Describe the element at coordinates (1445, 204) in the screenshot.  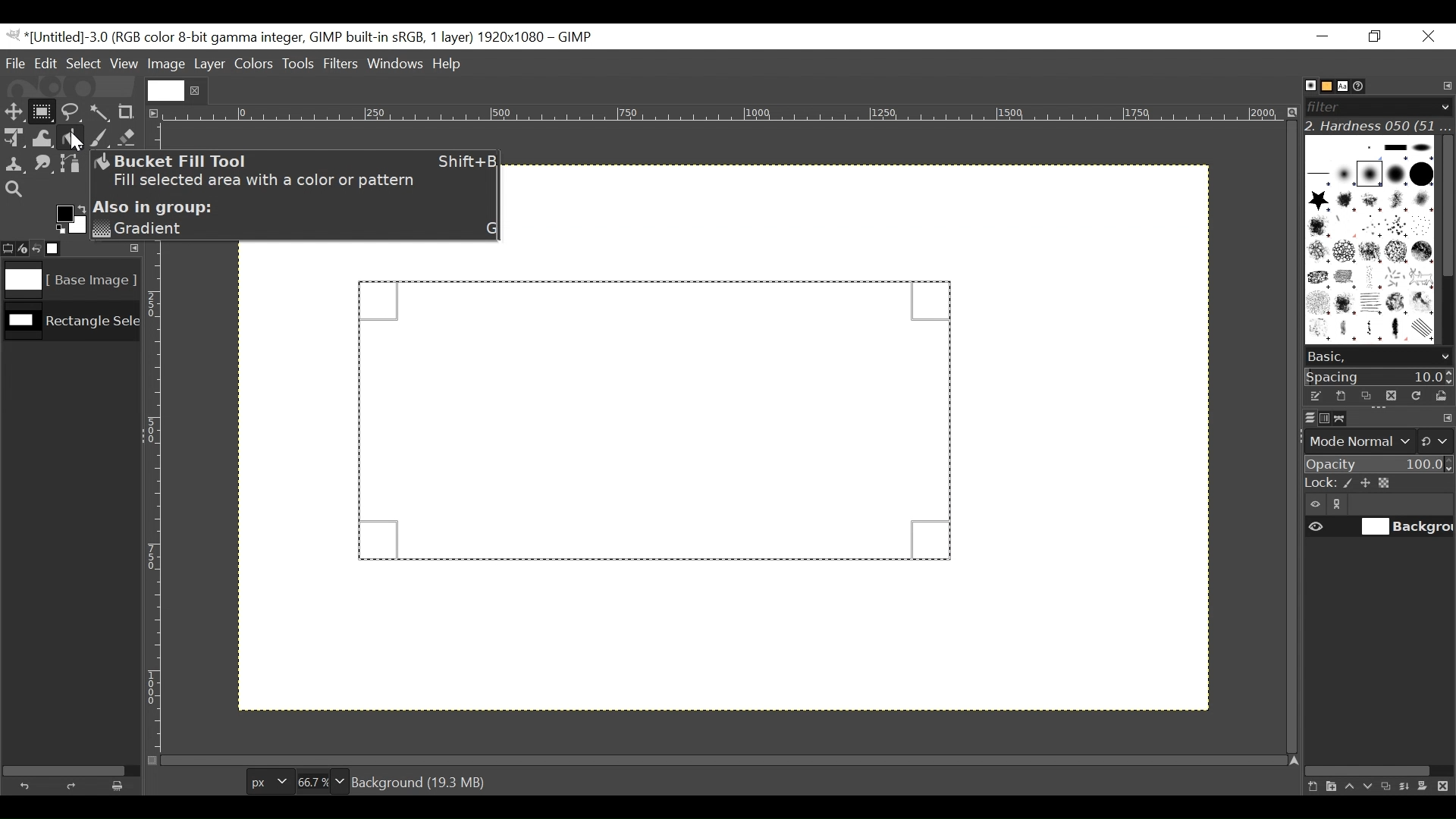
I see `Vertical scroll bar` at that location.